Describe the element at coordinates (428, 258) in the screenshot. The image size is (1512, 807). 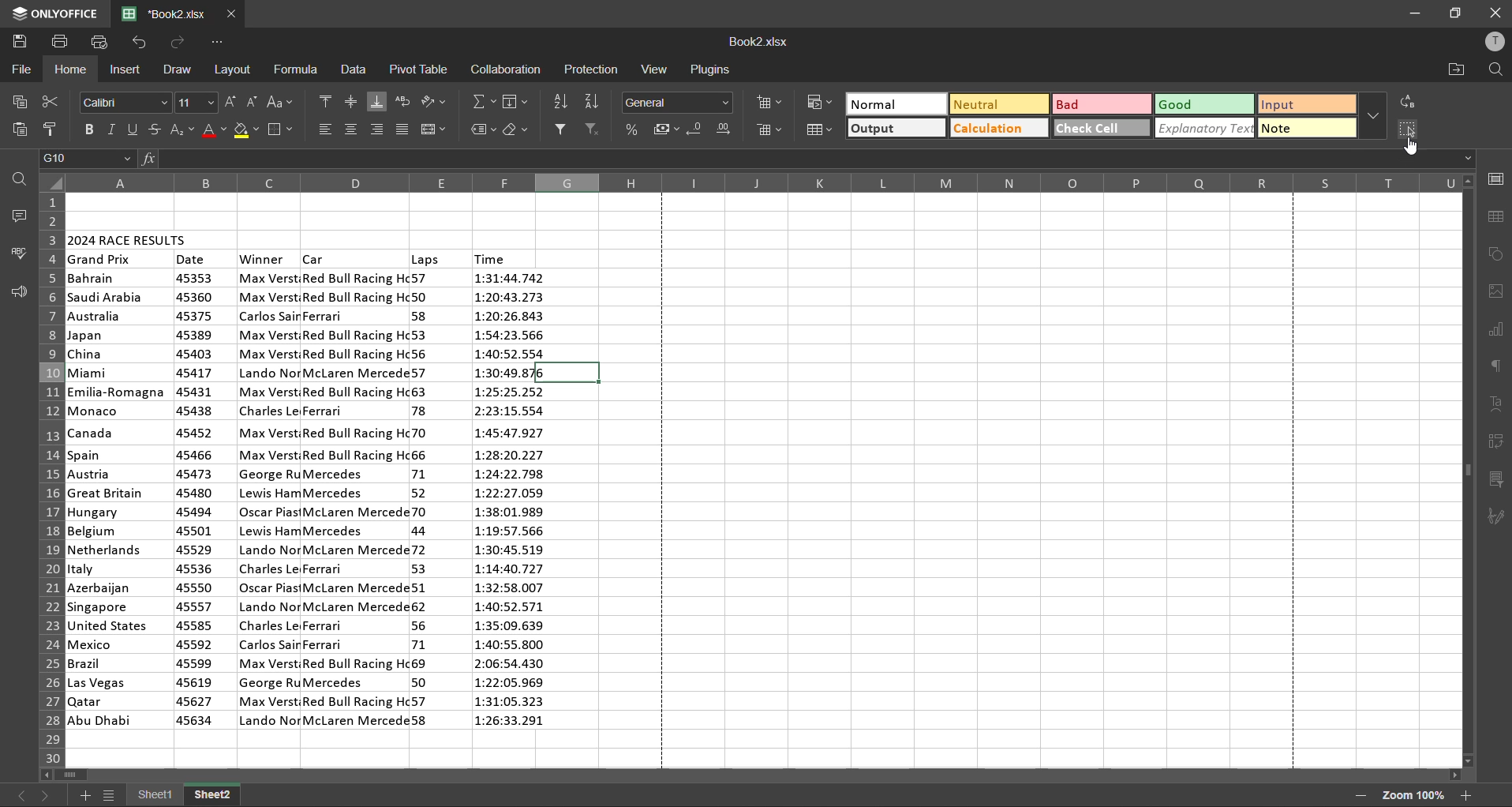
I see `` at that location.